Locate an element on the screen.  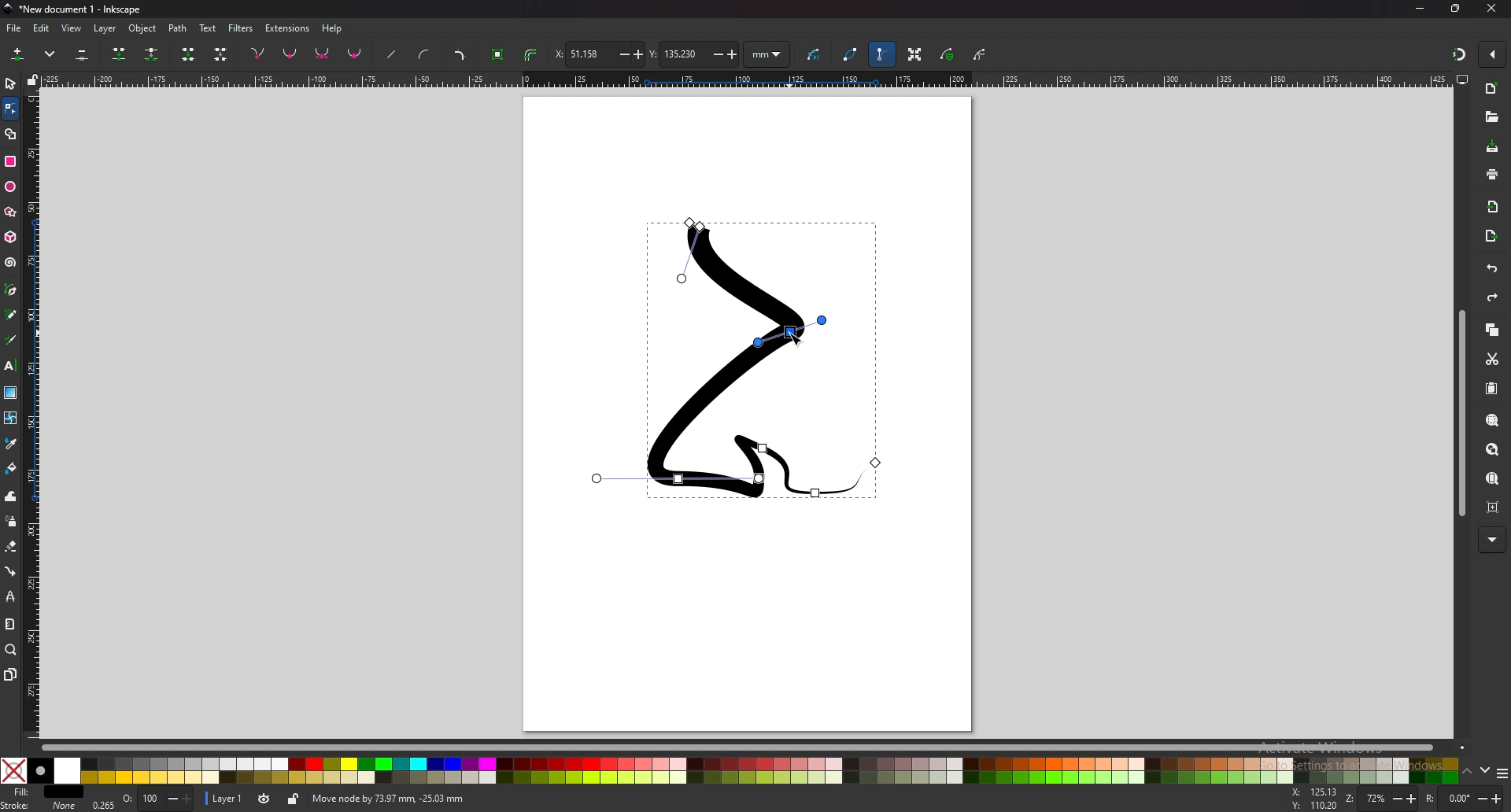
zoom selection is located at coordinates (1491, 420).